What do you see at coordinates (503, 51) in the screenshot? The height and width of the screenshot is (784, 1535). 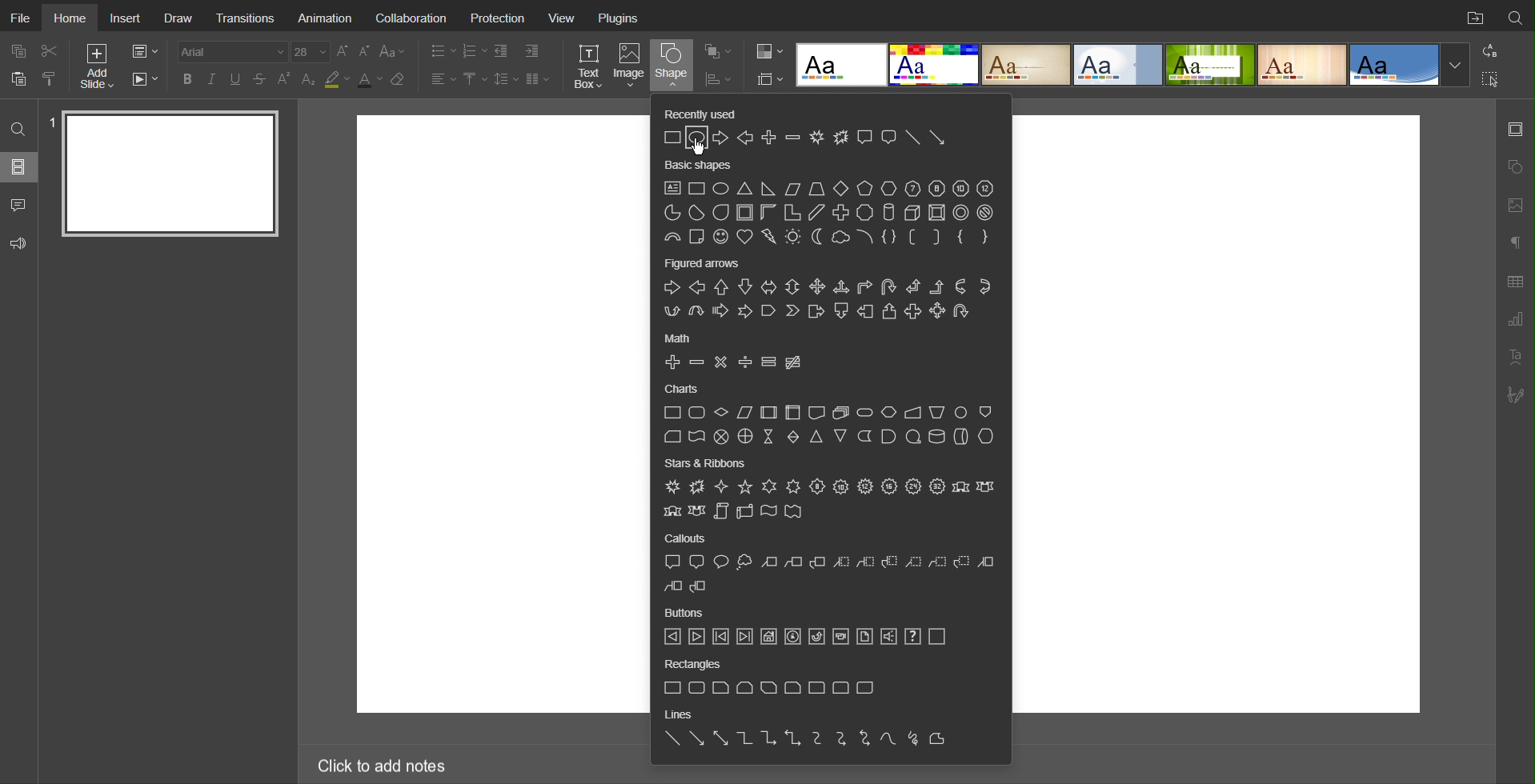 I see `Decrease Indent` at bounding box center [503, 51].